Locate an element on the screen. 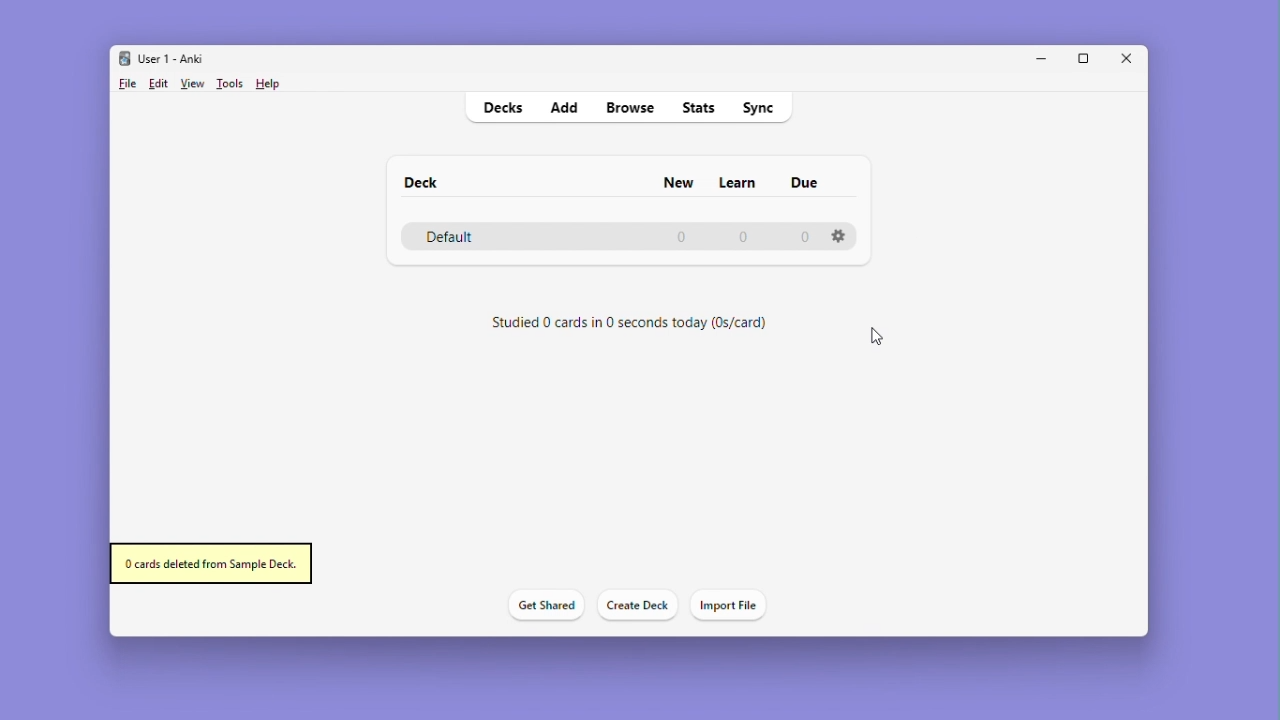 This screenshot has height=720, width=1280. Import file is located at coordinates (731, 606).